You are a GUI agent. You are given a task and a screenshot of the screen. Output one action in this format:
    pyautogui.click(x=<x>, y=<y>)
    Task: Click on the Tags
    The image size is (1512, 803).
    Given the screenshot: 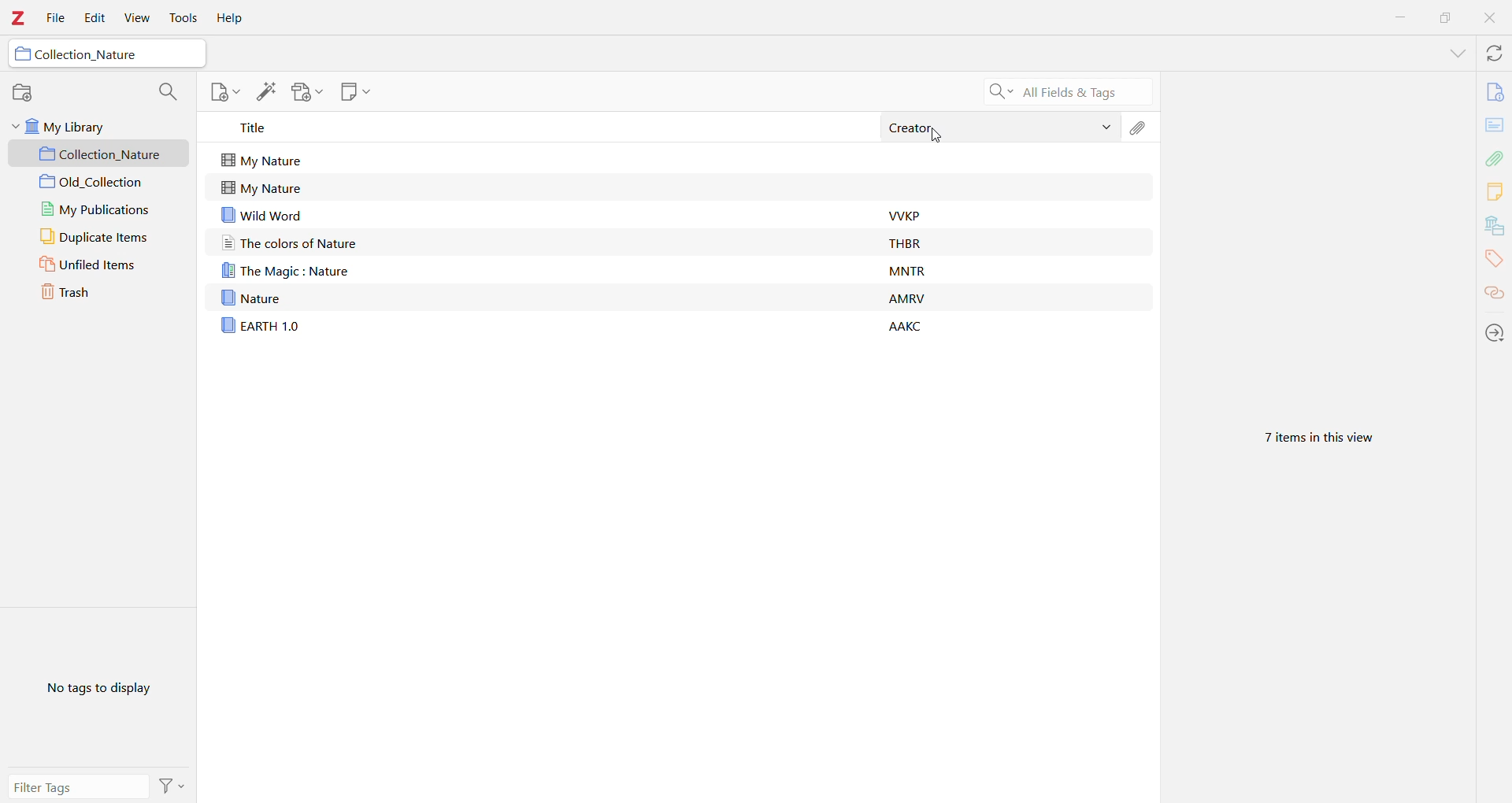 What is the action you would take?
    pyautogui.click(x=1493, y=258)
    